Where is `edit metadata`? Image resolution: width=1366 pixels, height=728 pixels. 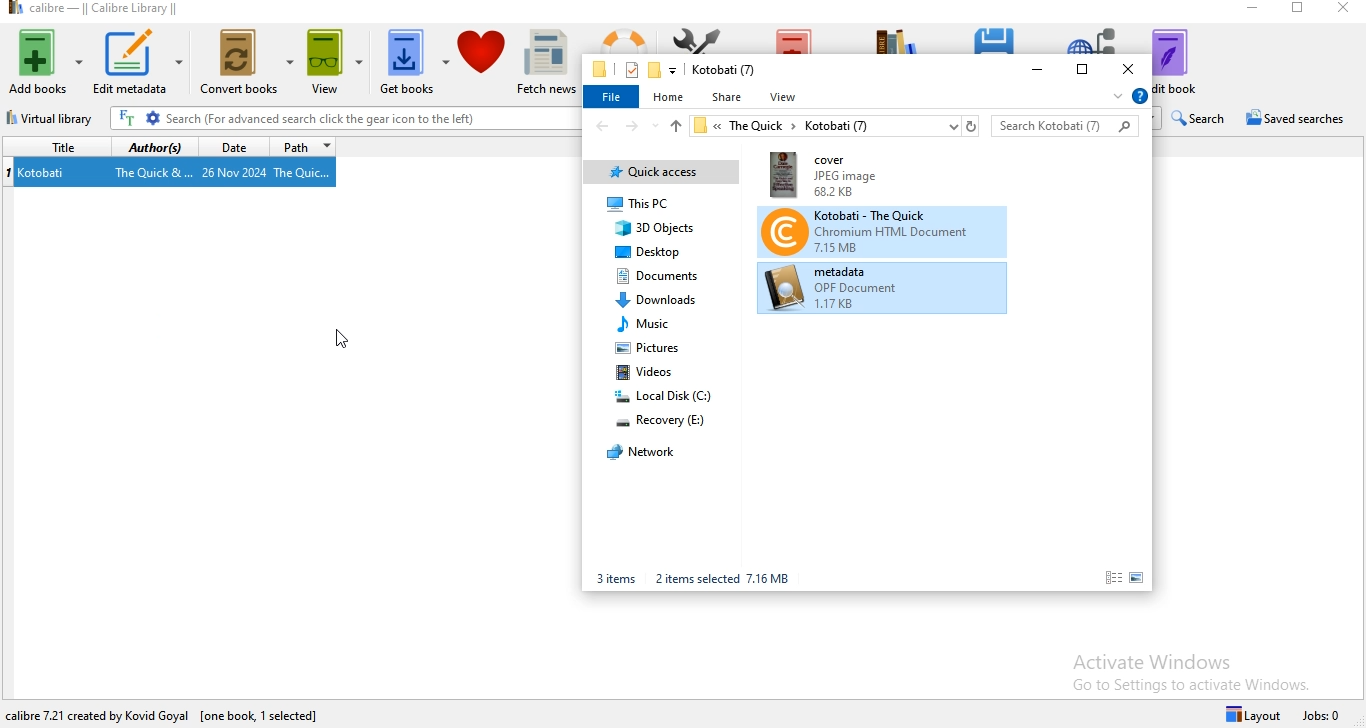
edit metadata is located at coordinates (144, 63).